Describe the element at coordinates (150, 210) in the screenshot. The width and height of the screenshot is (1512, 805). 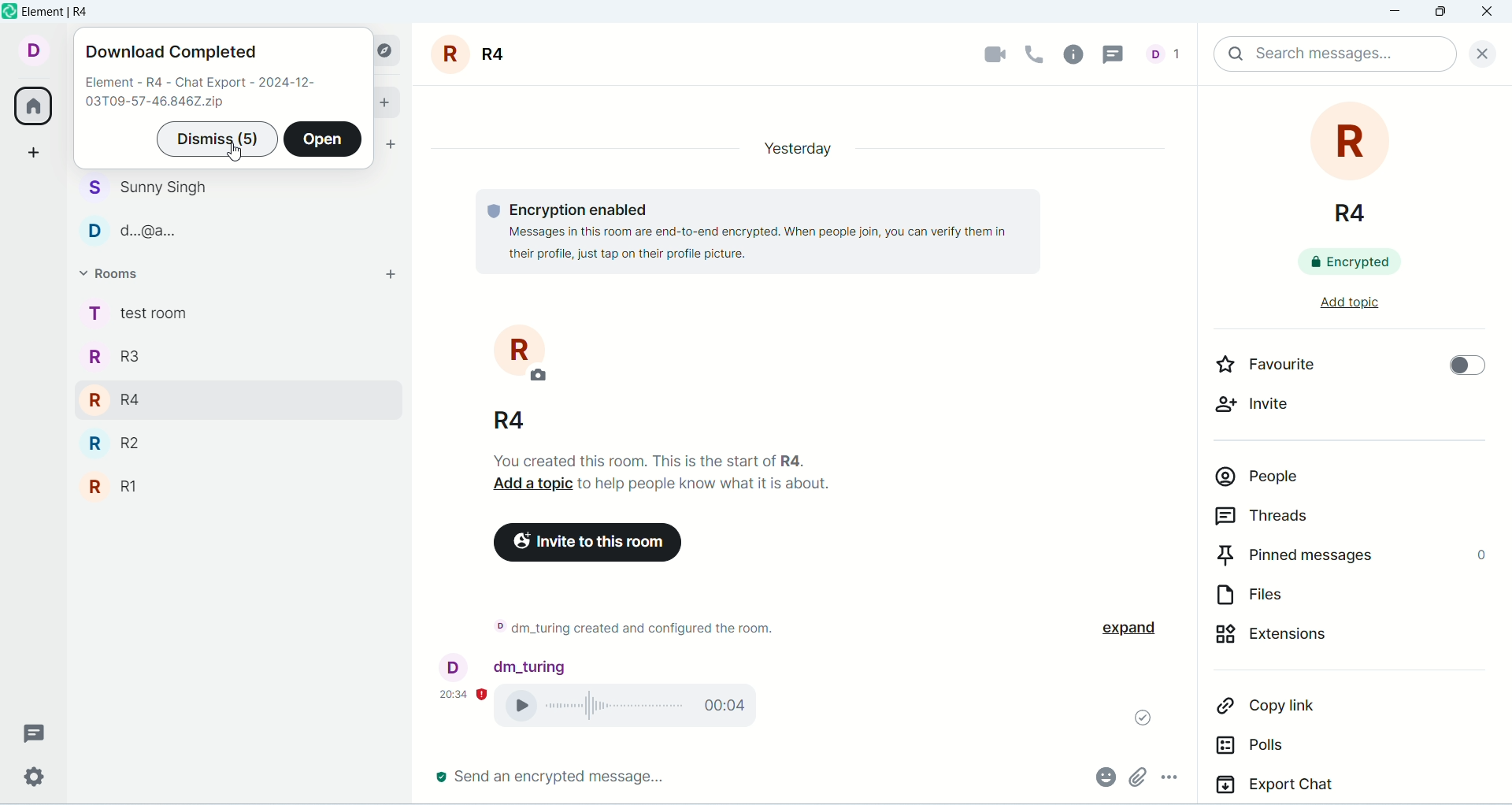
I see `people` at that location.